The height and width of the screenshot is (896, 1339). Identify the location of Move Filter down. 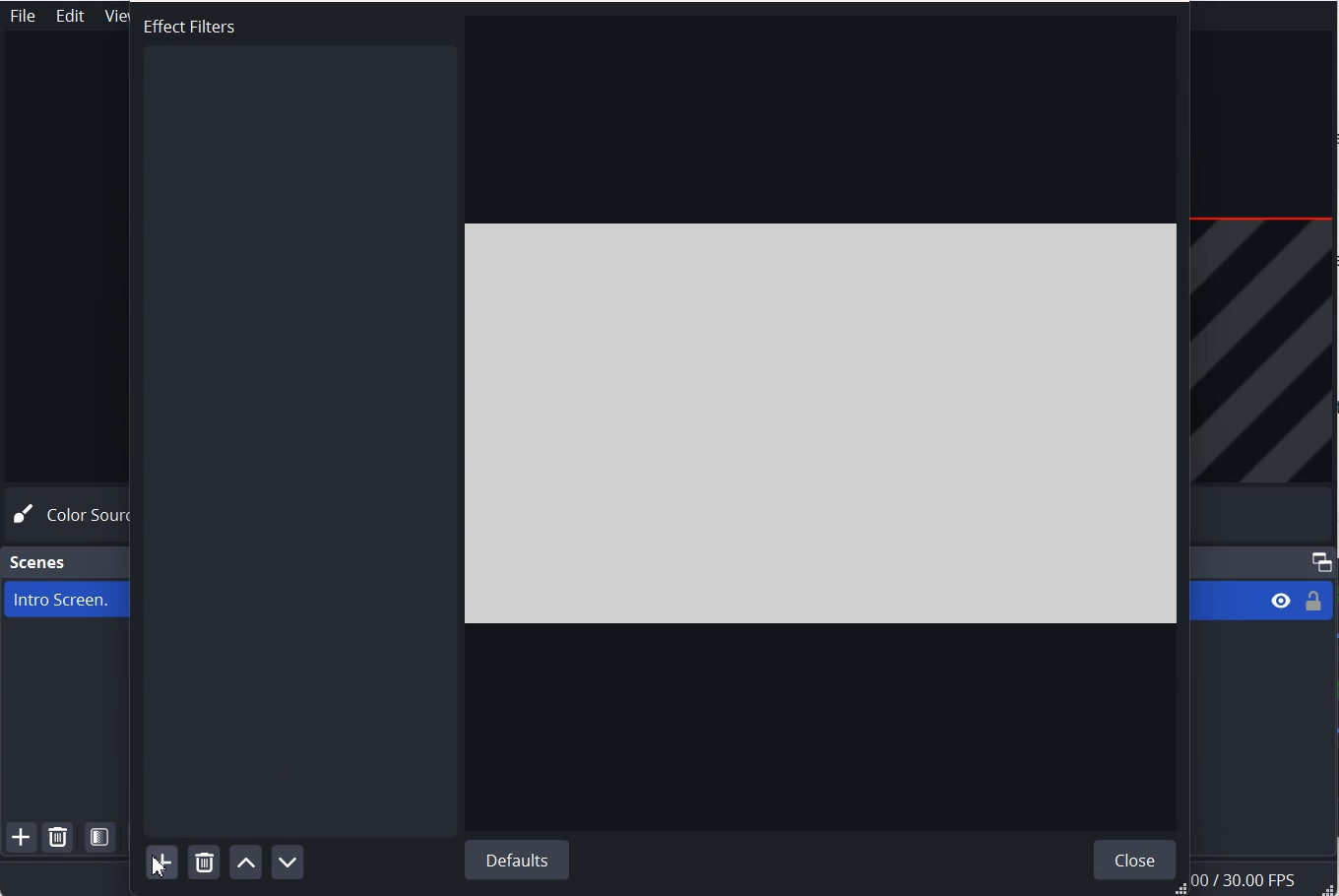
(287, 861).